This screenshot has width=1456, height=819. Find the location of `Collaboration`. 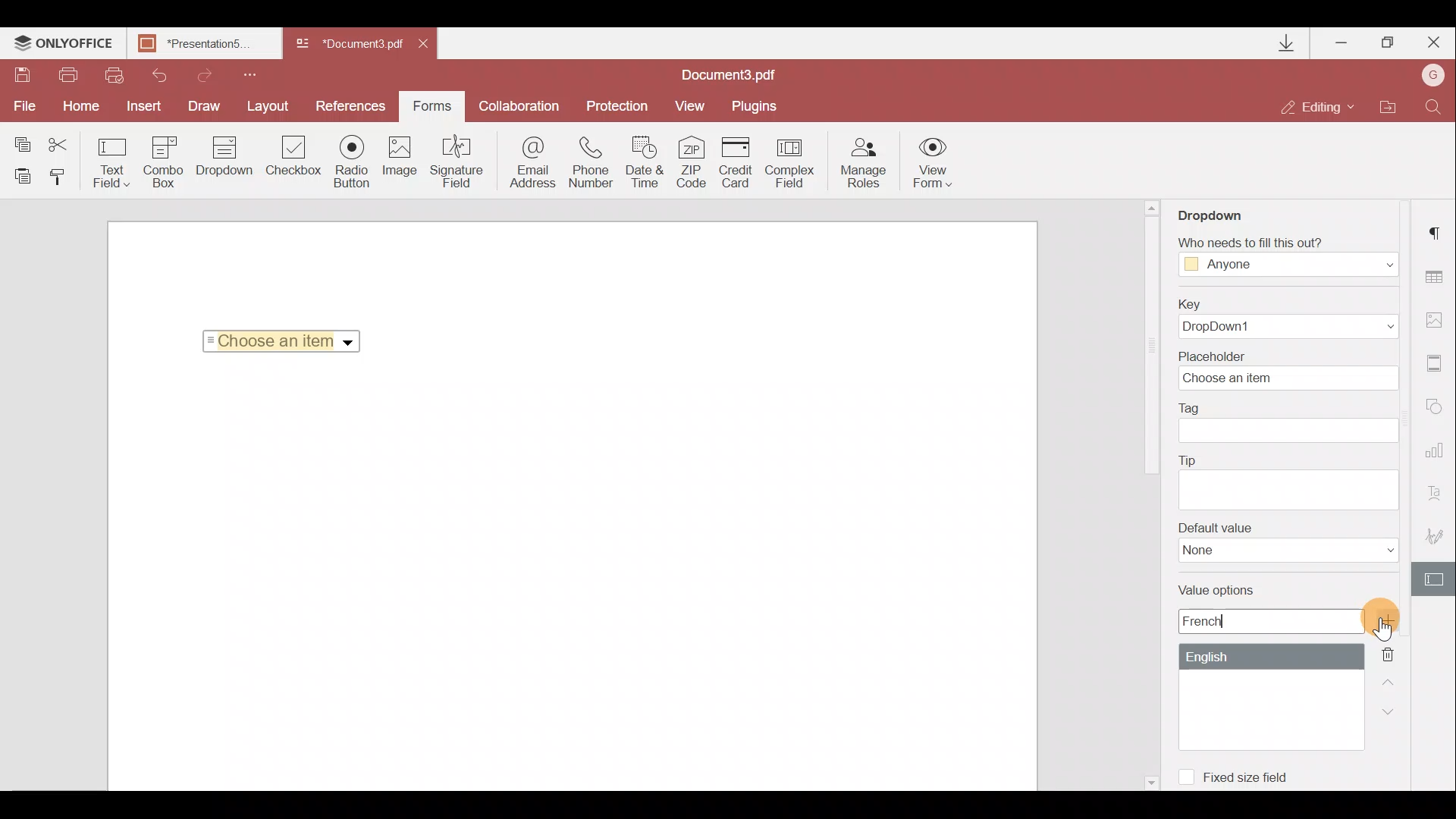

Collaboration is located at coordinates (518, 106).